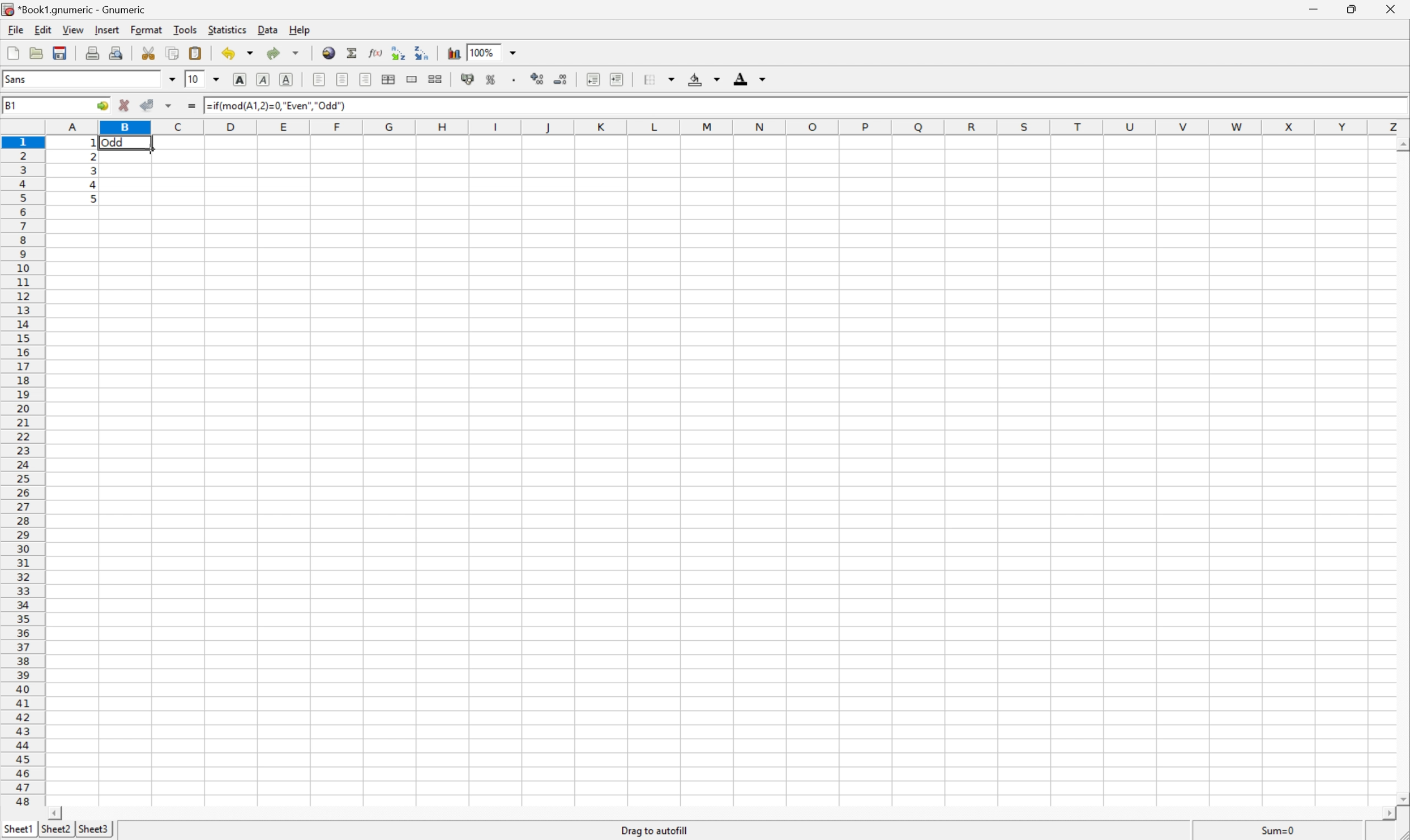  I want to click on Restore Down, so click(1354, 7).